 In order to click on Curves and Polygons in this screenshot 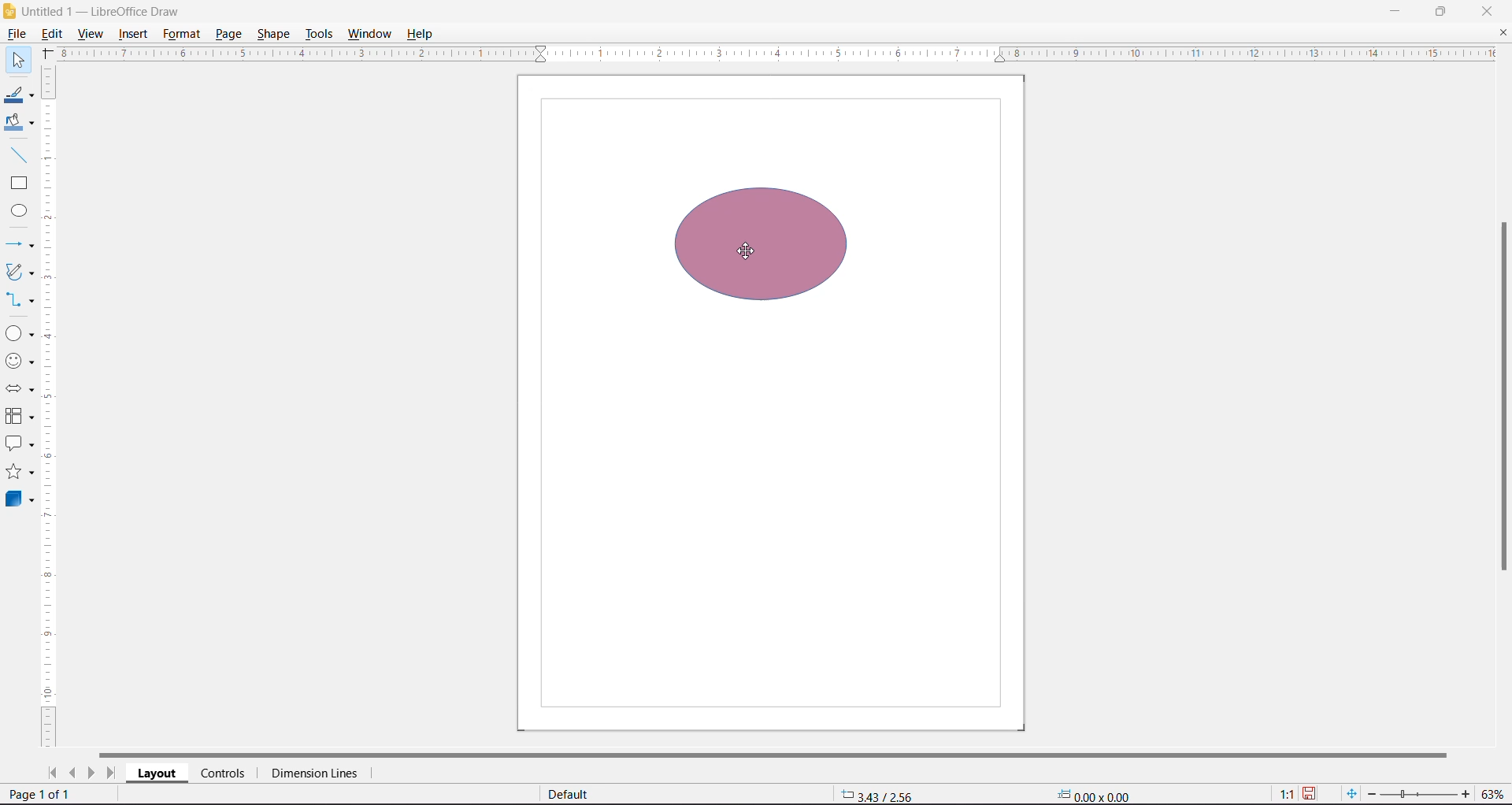, I will do `click(20, 273)`.